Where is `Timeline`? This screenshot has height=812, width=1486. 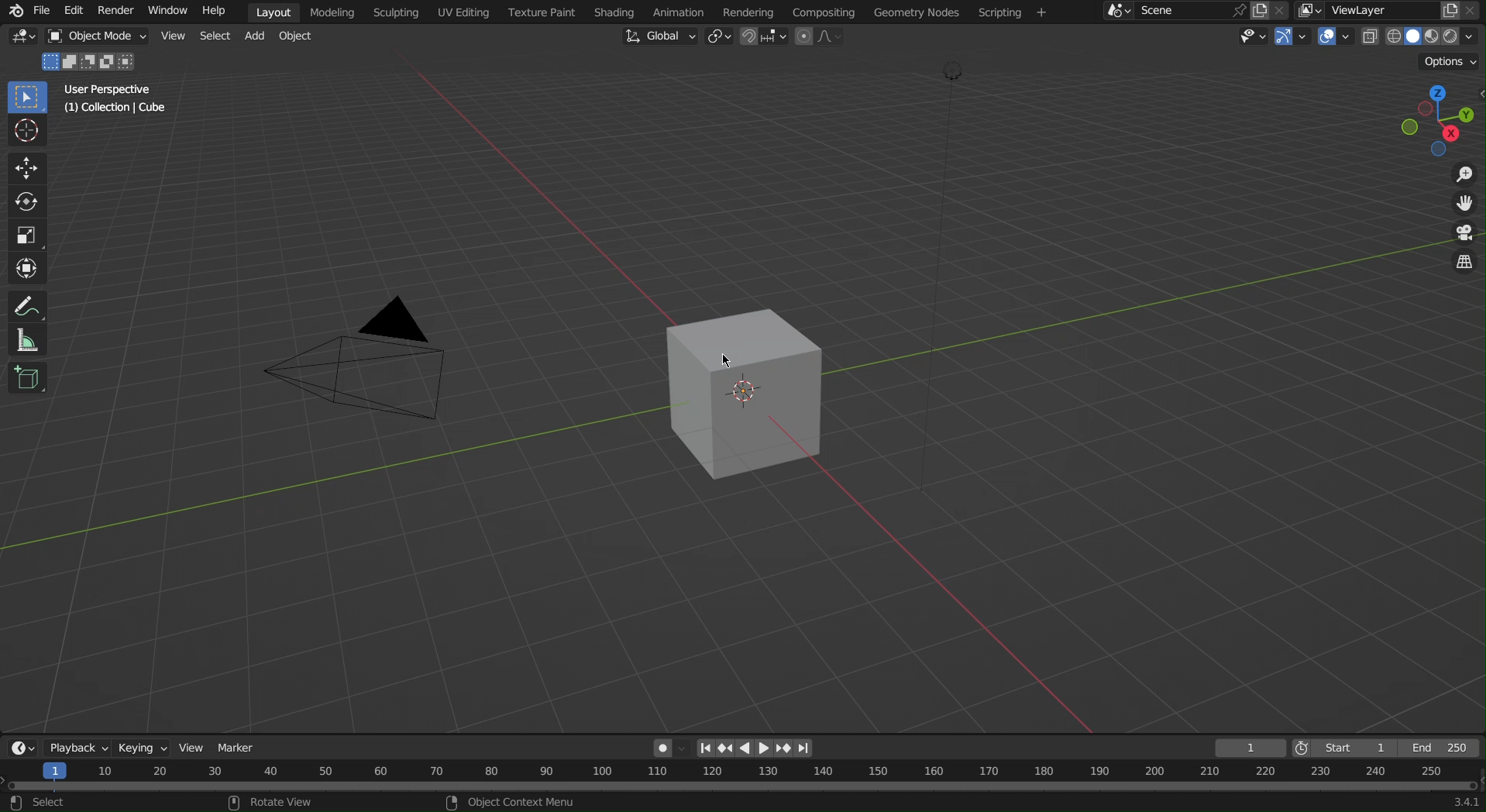 Timeline is located at coordinates (743, 787).